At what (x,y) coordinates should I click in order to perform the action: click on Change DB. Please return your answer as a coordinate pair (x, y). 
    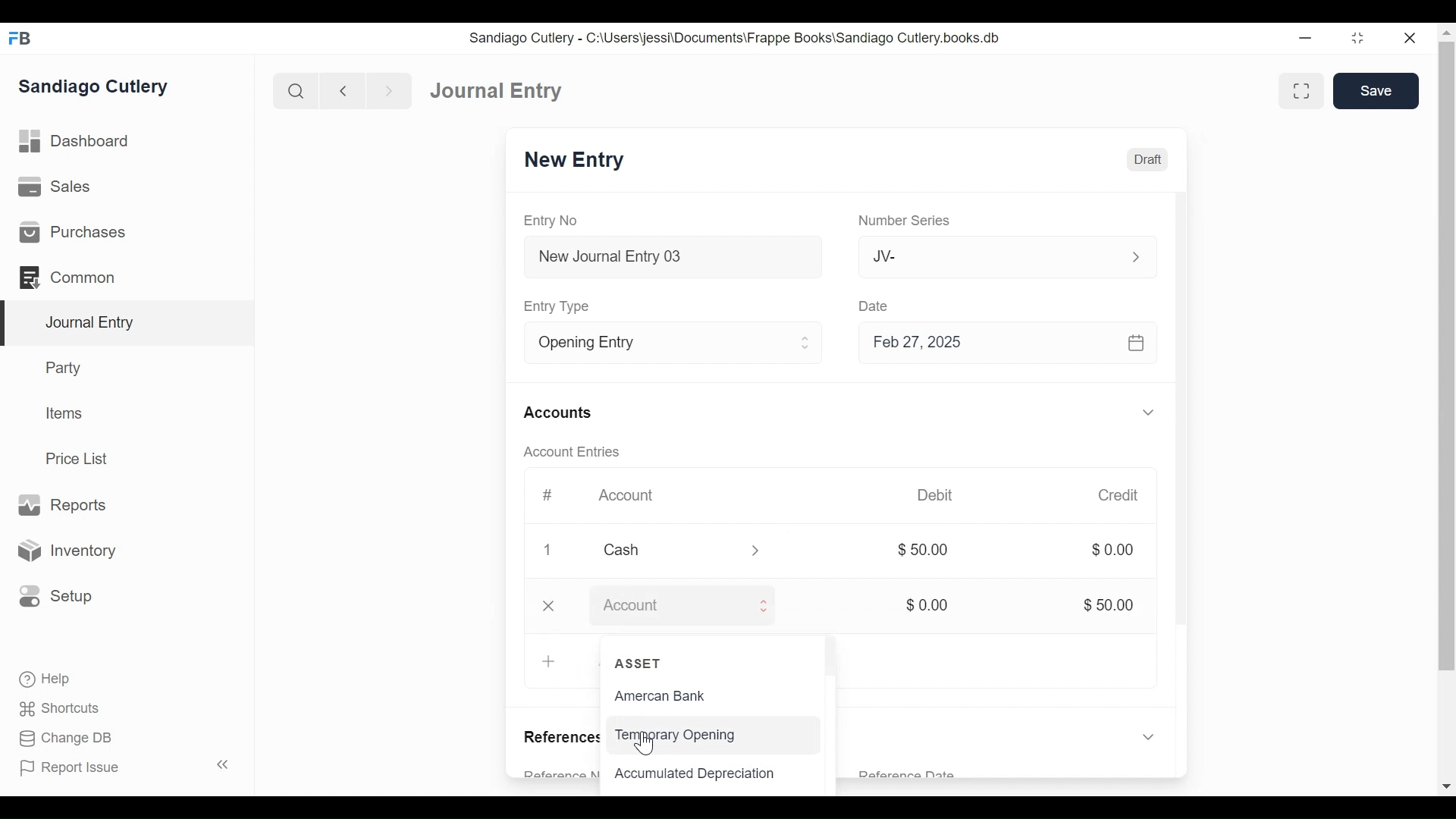
    Looking at the image, I should click on (64, 739).